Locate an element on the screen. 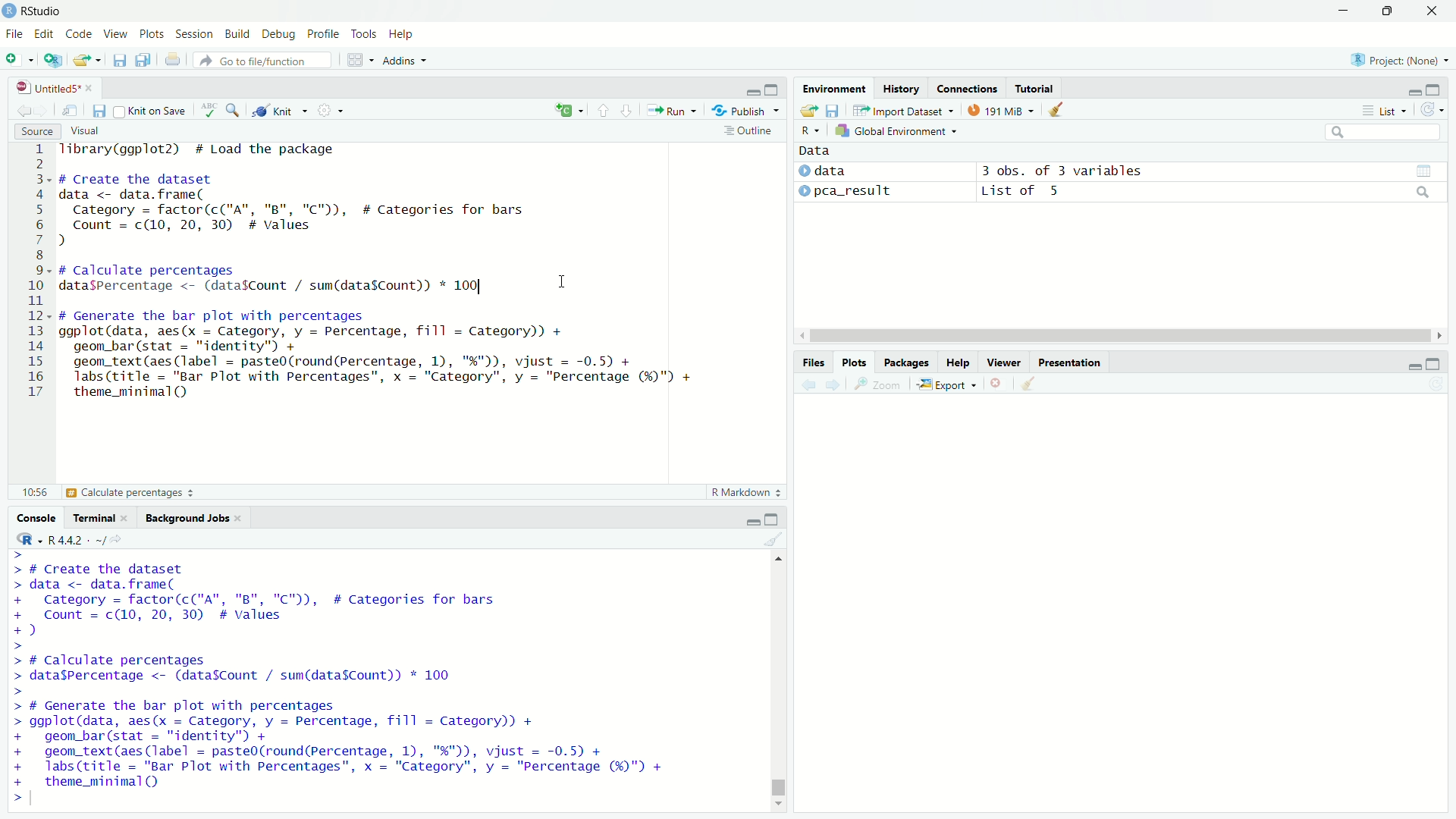 This screenshot has height=819, width=1456. memory usage: 191MB is located at coordinates (1003, 109).